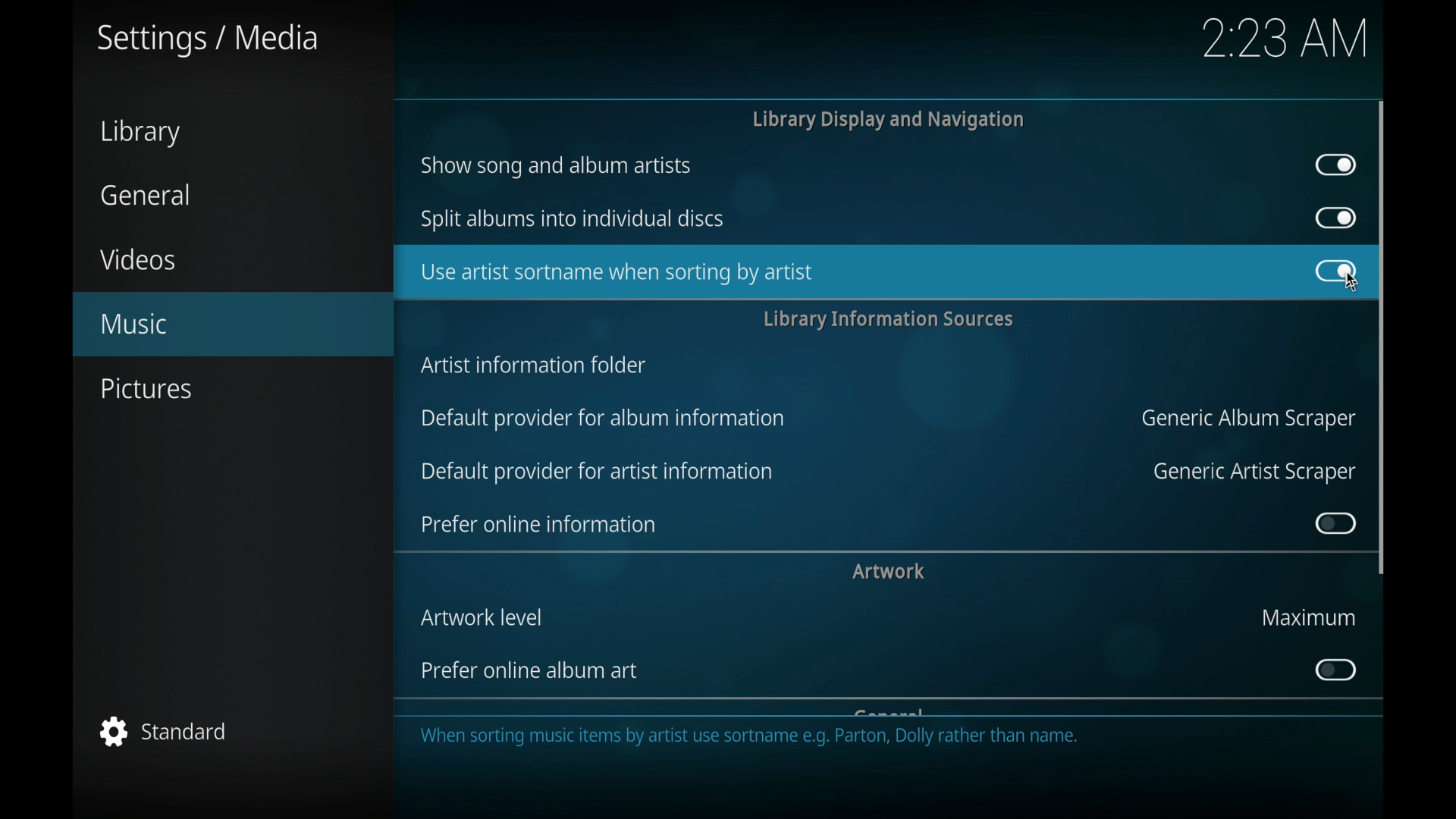 This screenshot has height=819, width=1456. I want to click on prefer online information, so click(538, 524).